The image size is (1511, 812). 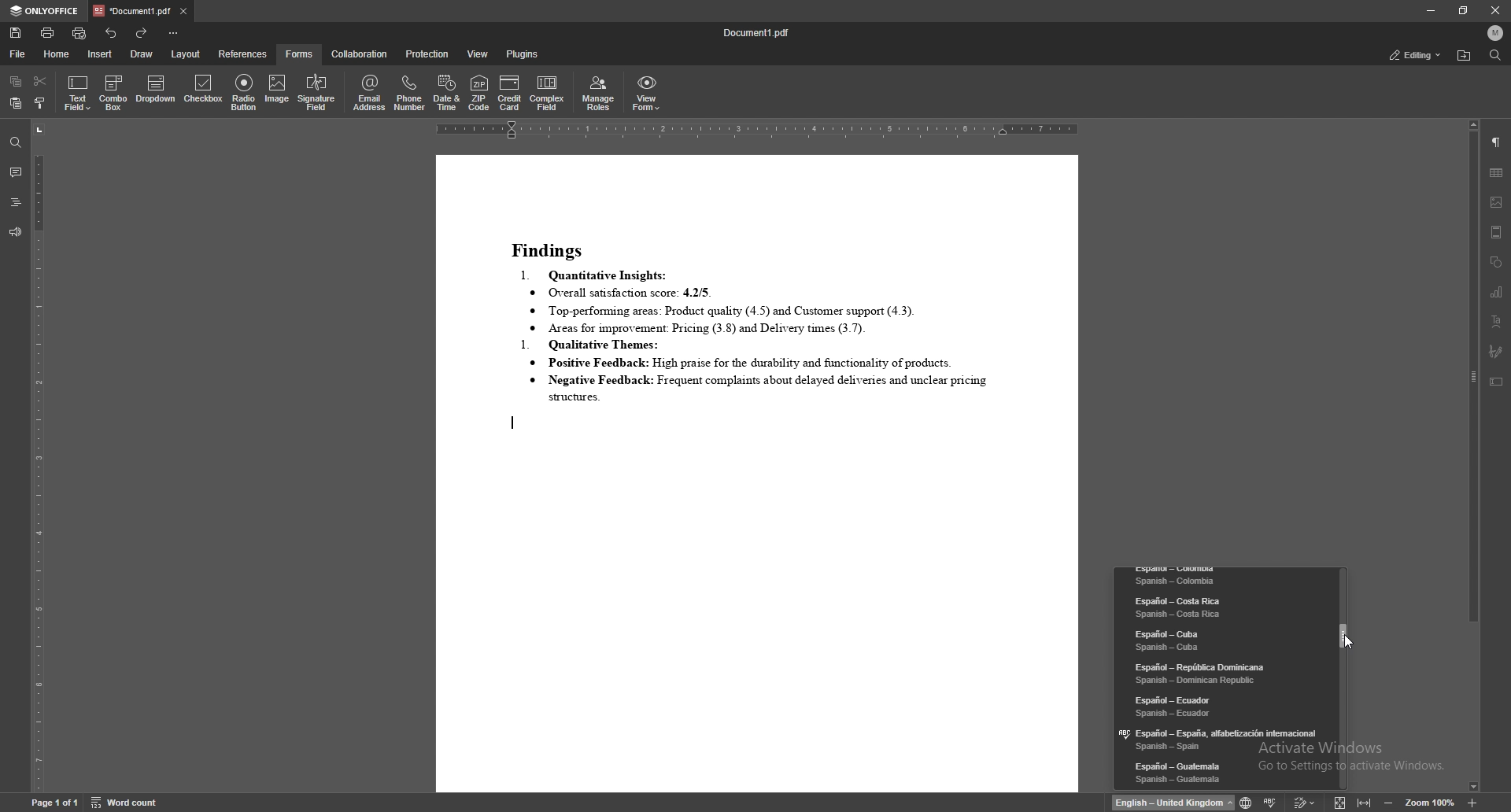 I want to click on save, so click(x=16, y=33).